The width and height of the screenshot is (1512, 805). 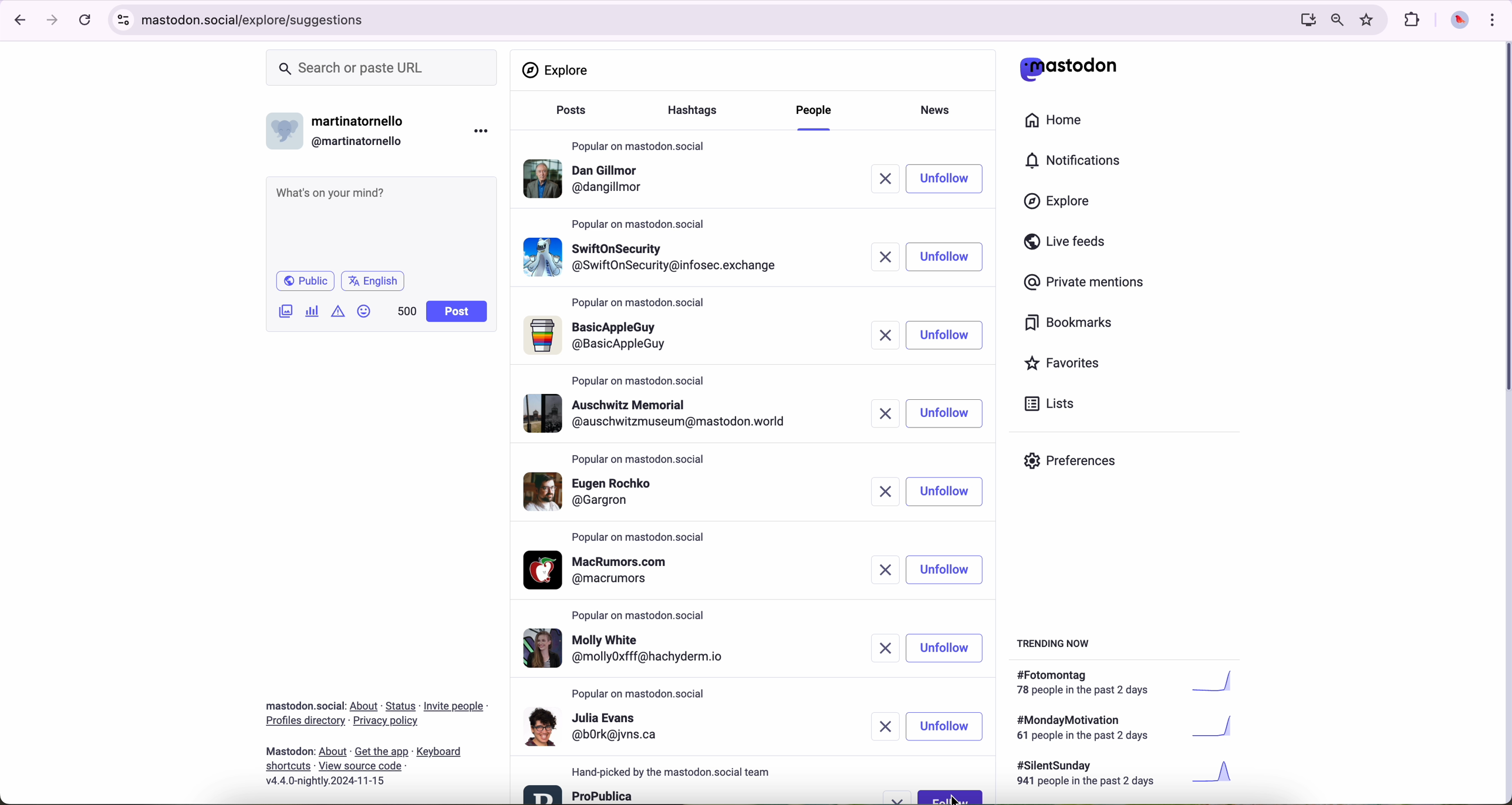 I want to click on favorites, so click(x=1067, y=365).